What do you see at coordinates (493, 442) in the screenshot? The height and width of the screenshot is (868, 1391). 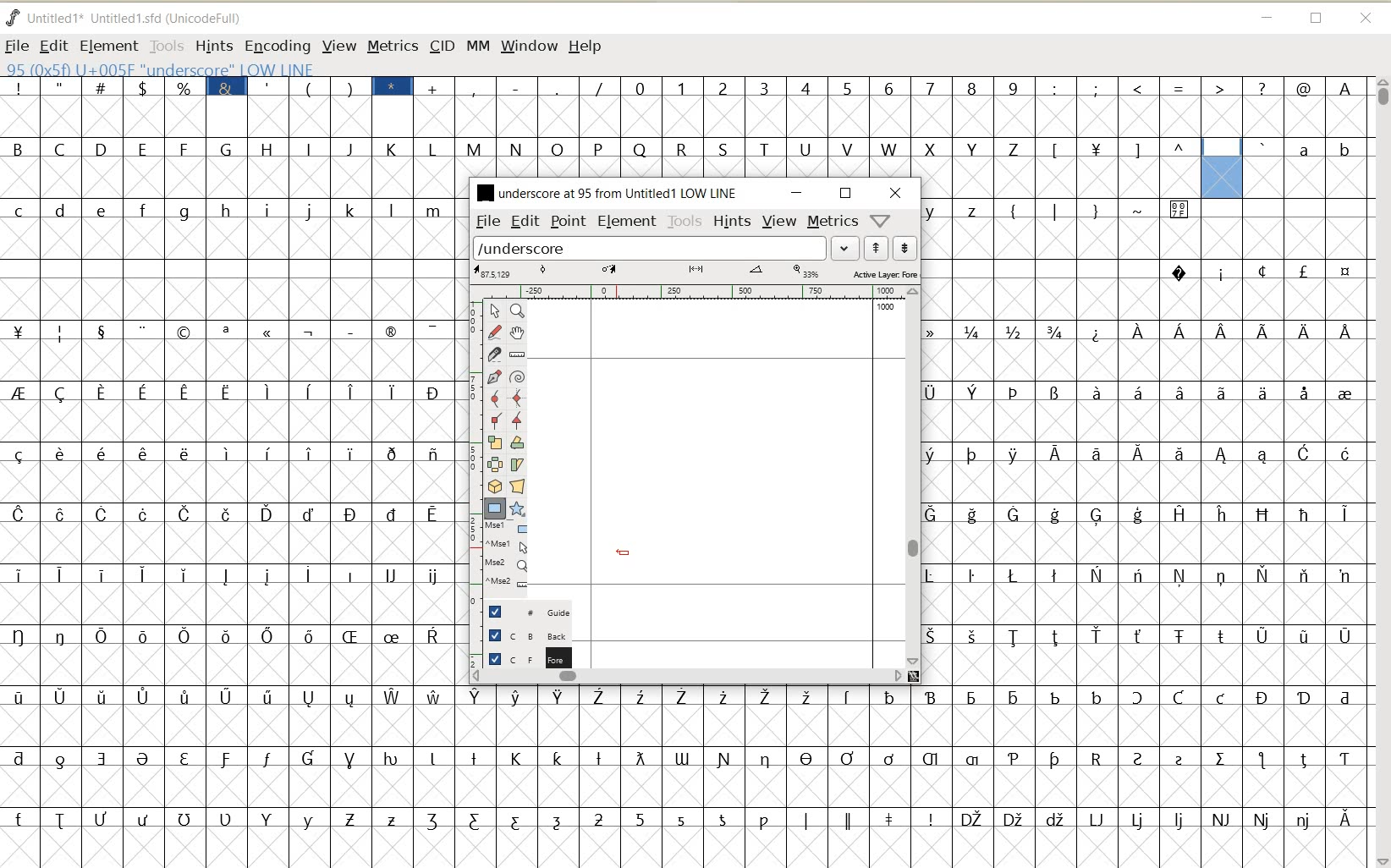 I see `scale the selection` at bounding box center [493, 442].